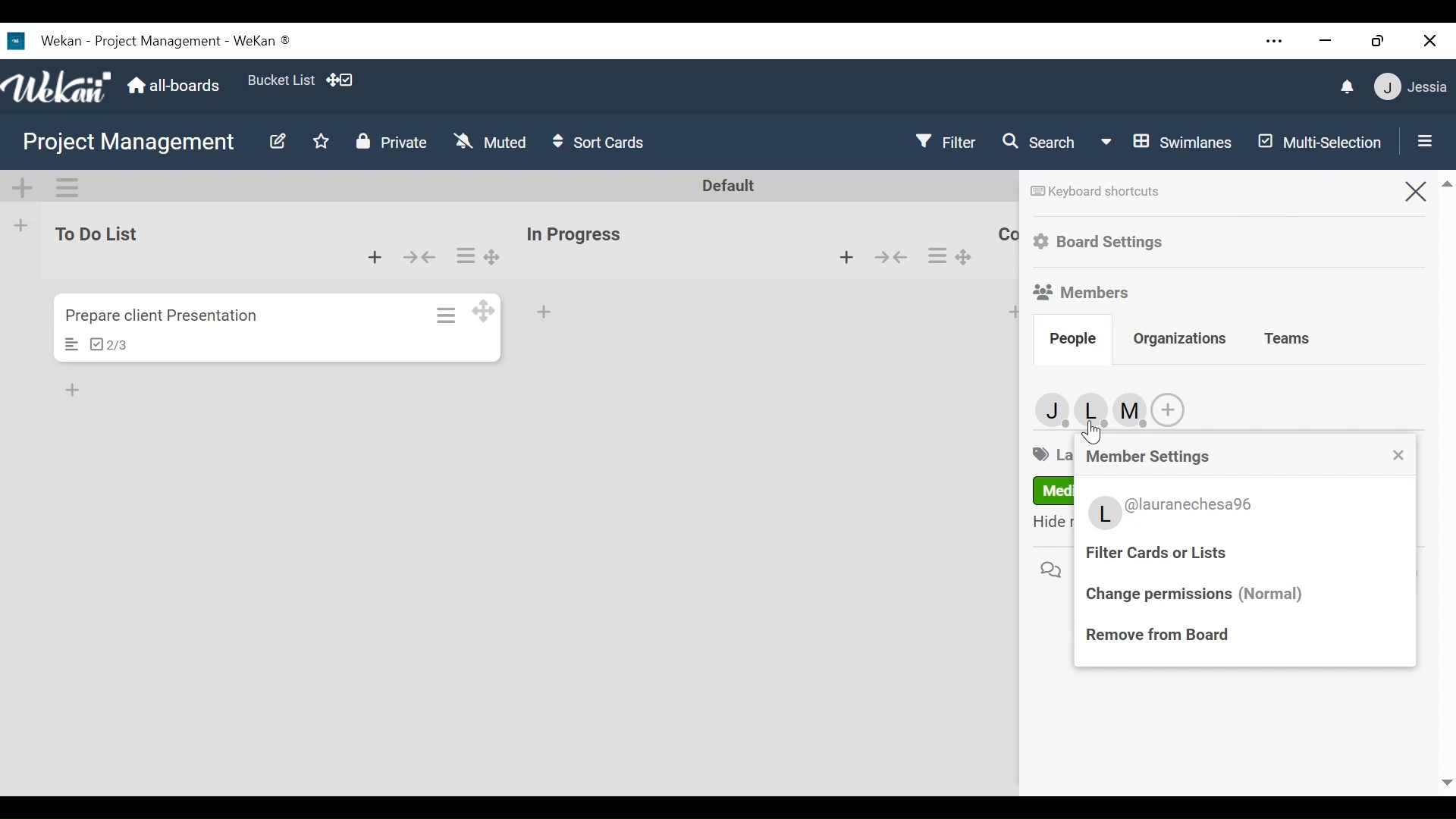 This screenshot has width=1456, height=819. Describe the element at coordinates (490, 141) in the screenshot. I see `Muted` at that location.